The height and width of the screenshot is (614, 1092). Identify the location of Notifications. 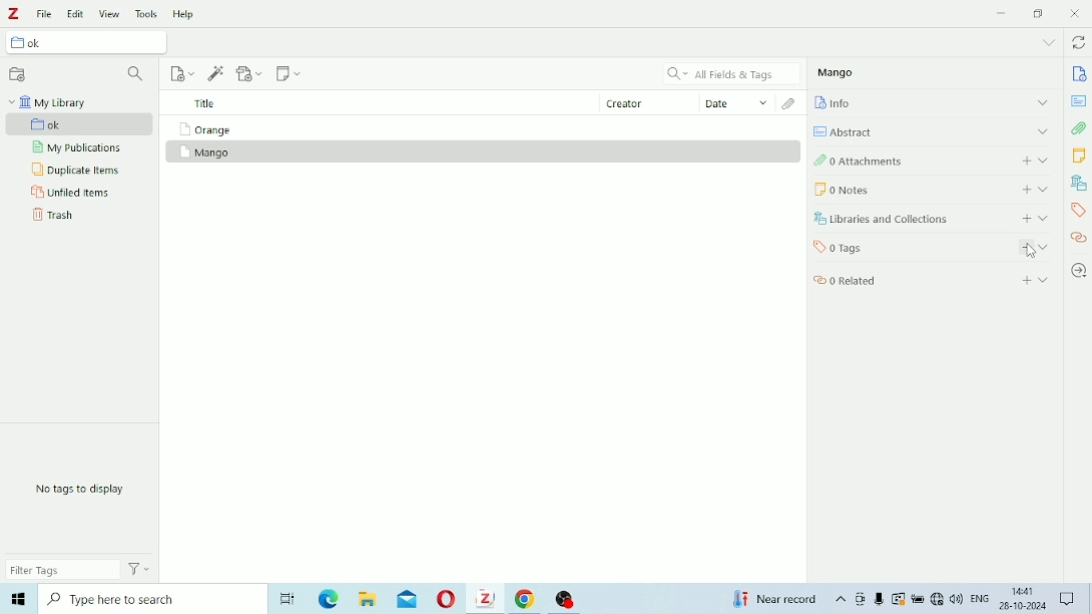
(1069, 598).